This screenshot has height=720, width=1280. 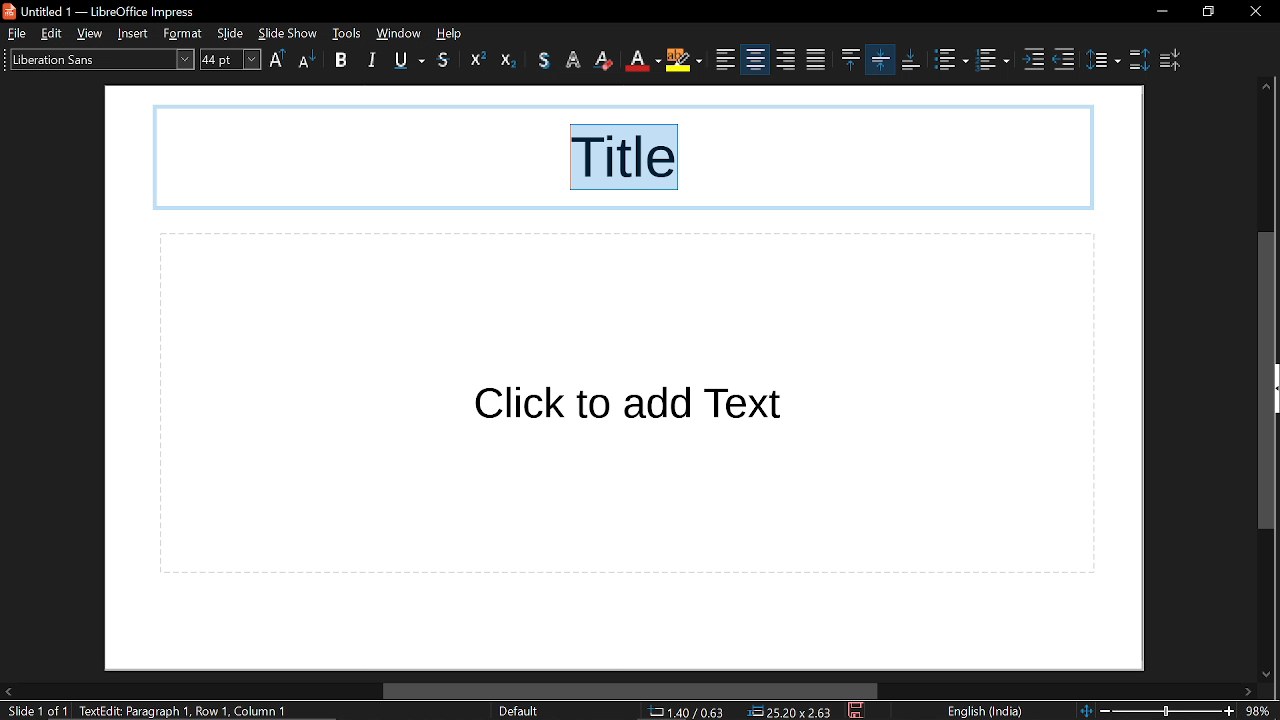 What do you see at coordinates (627, 160) in the screenshot?
I see `selected text` at bounding box center [627, 160].